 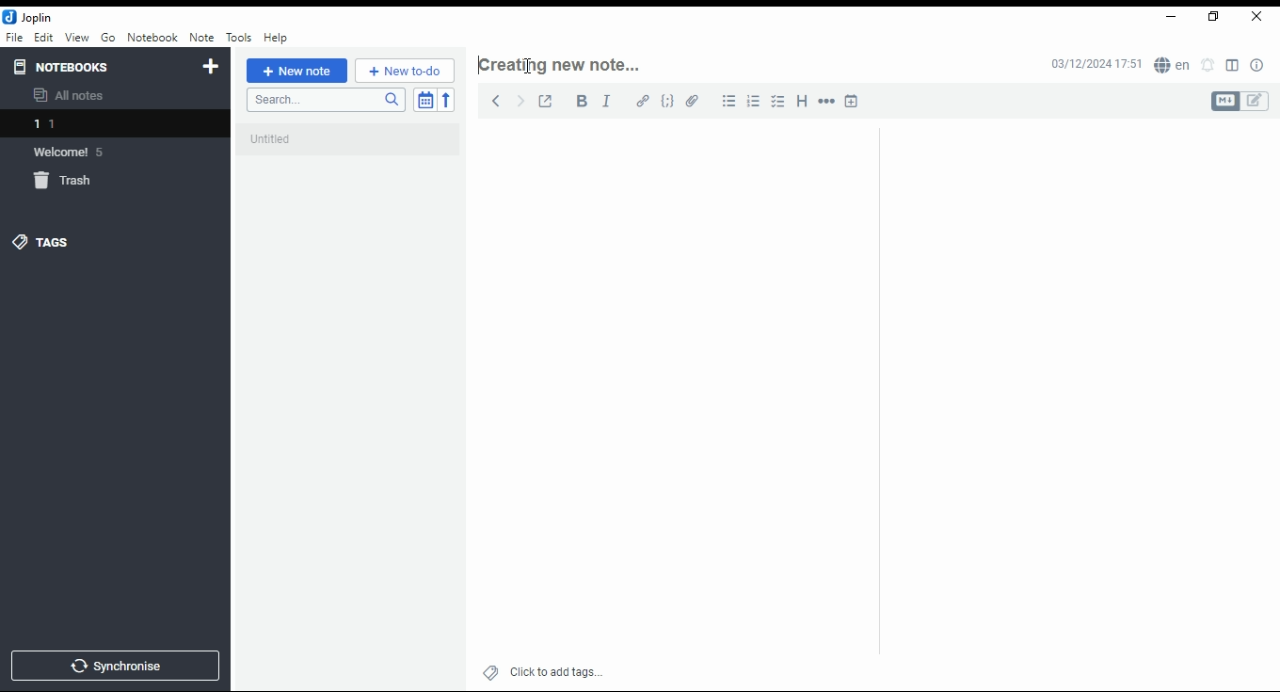 What do you see at coordinates (1172, 15) in the screenshot?
I see `minimize` at bounding box center [1172, 15].